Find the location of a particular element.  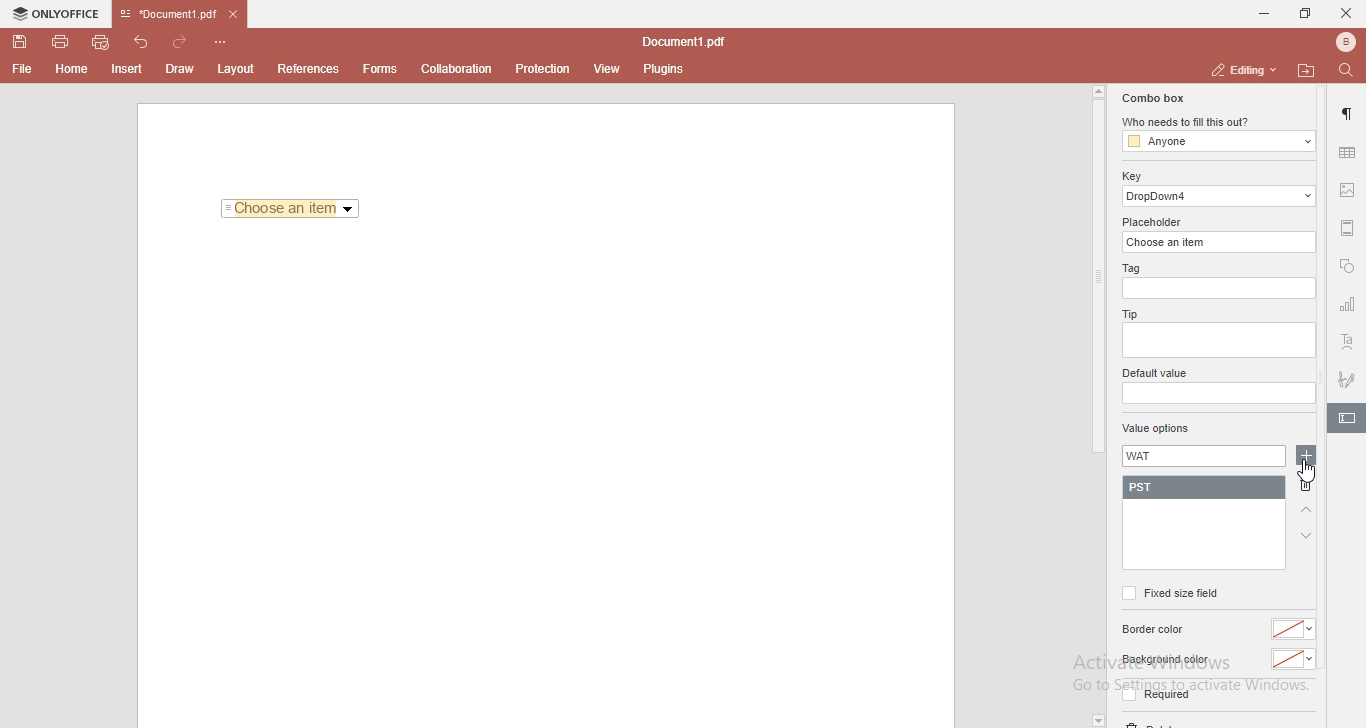

WAT is located at coordinates (1149, 457).